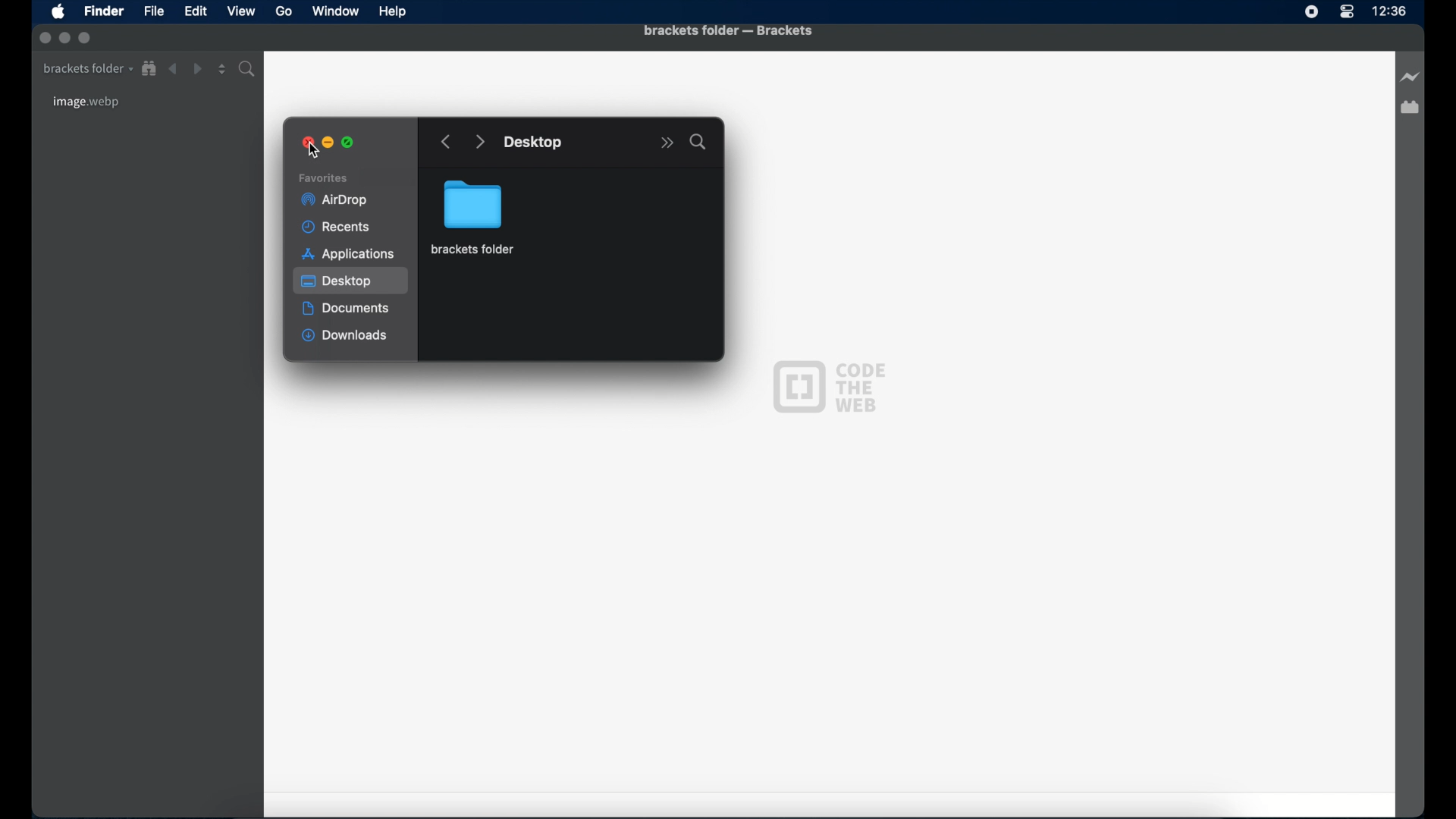 The height and width of the screenshot is (819, 1456). Describe the element at coordinates (698, 142) in the screenshot. I see `search` at that location.